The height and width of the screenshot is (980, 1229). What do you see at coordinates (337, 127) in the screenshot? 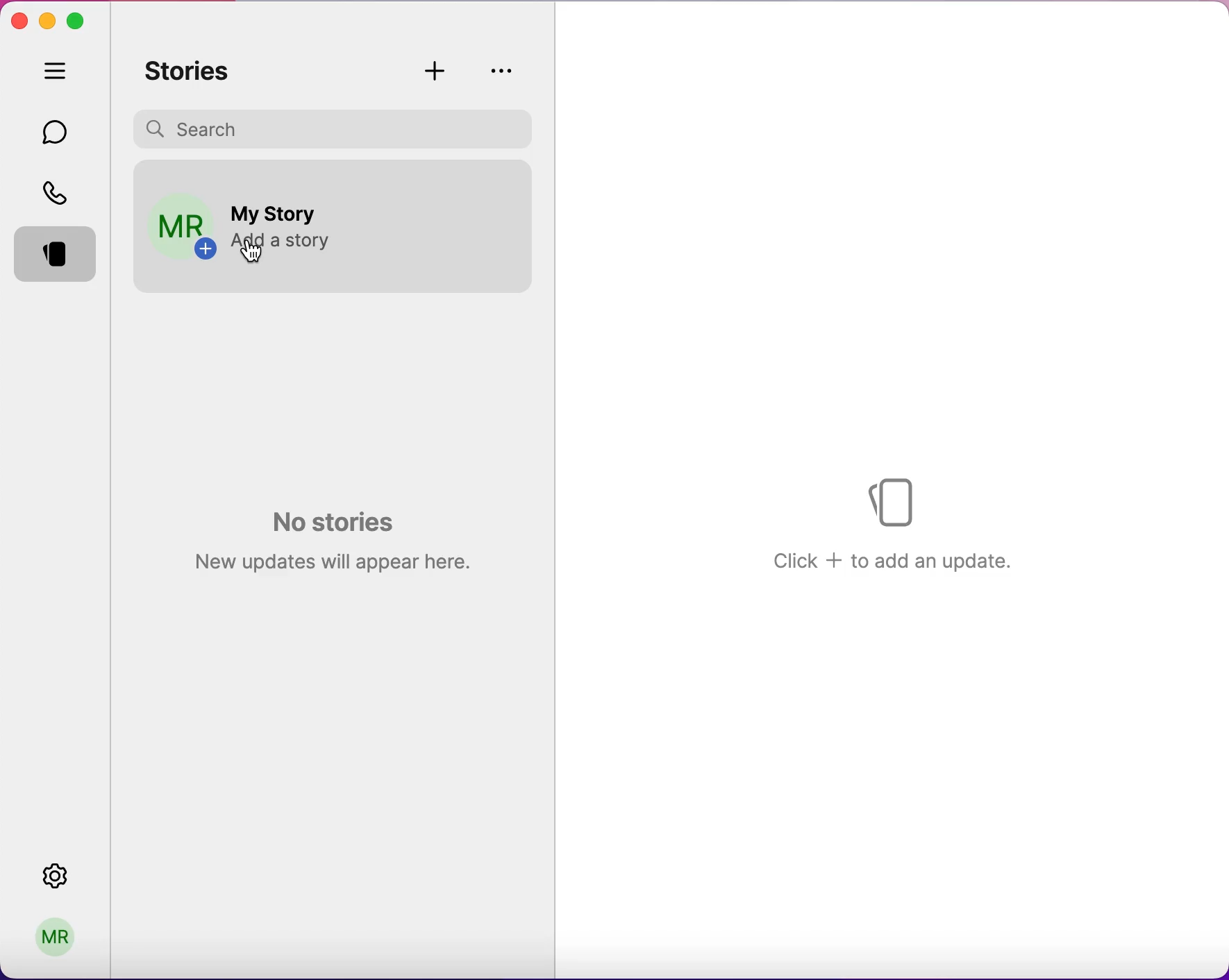
I see `search` at bounding box center [337, 127].